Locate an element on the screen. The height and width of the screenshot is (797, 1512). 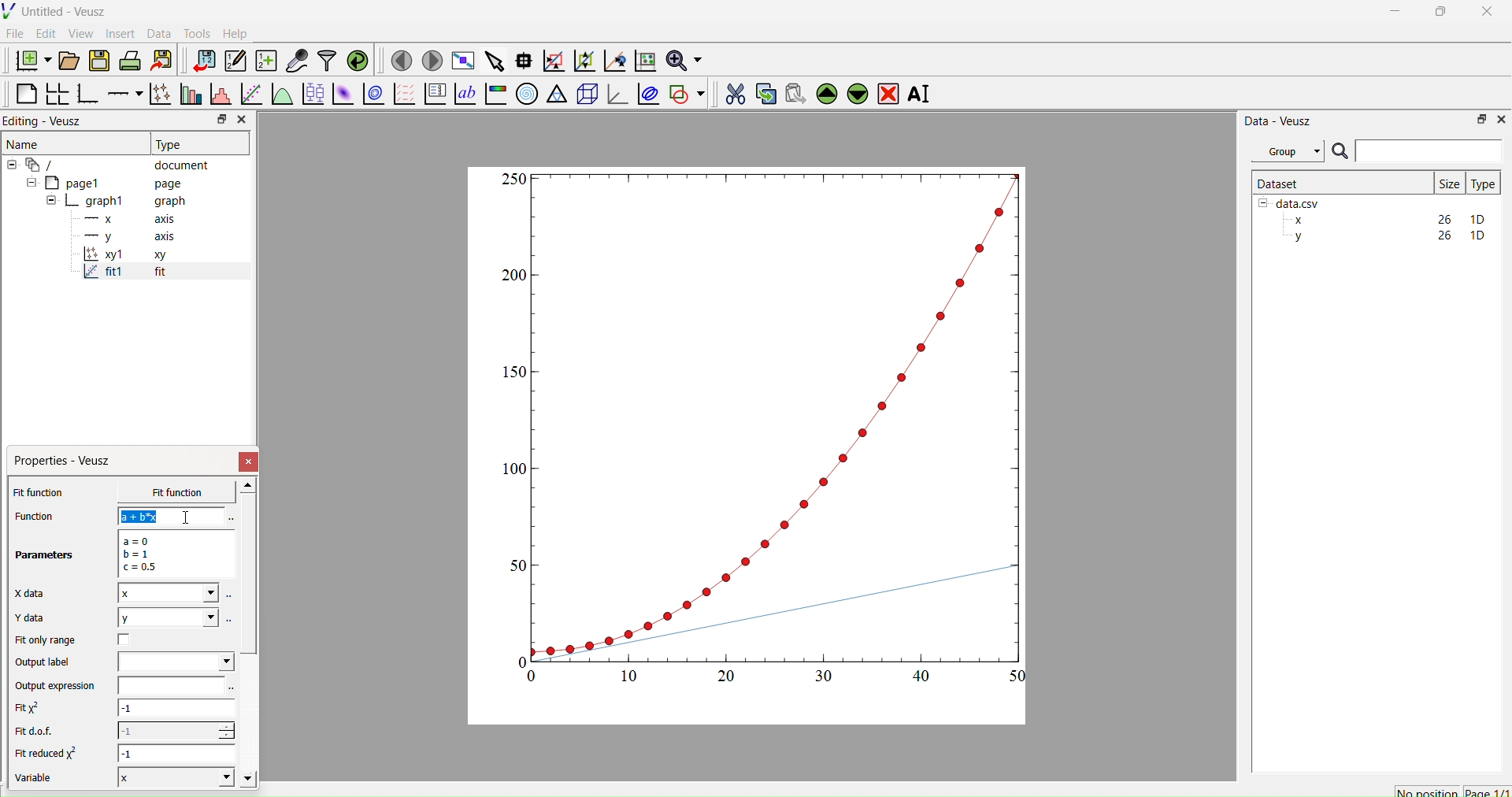
Tools is located at coordinates (194, 32).